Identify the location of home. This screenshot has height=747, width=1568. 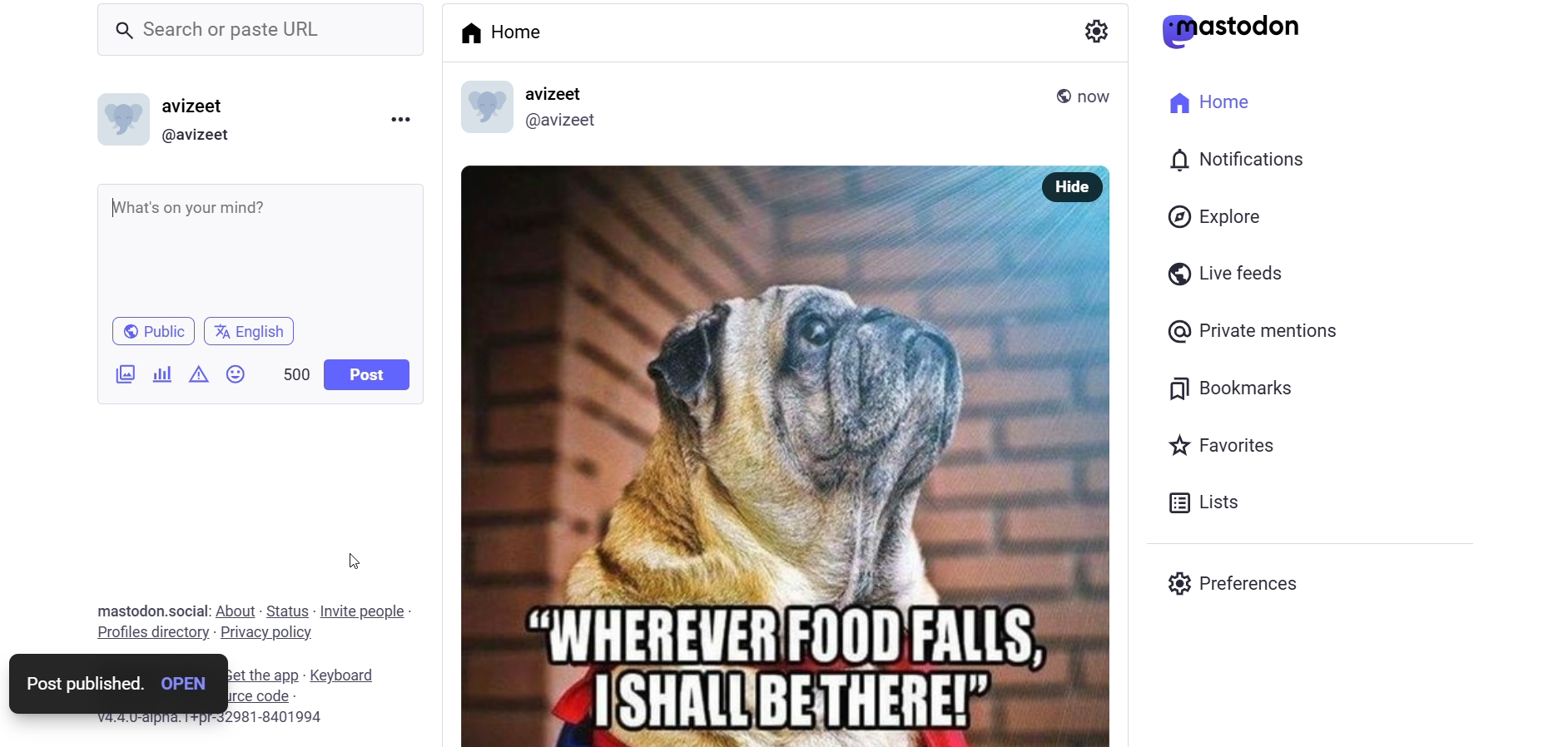
(499, 30).